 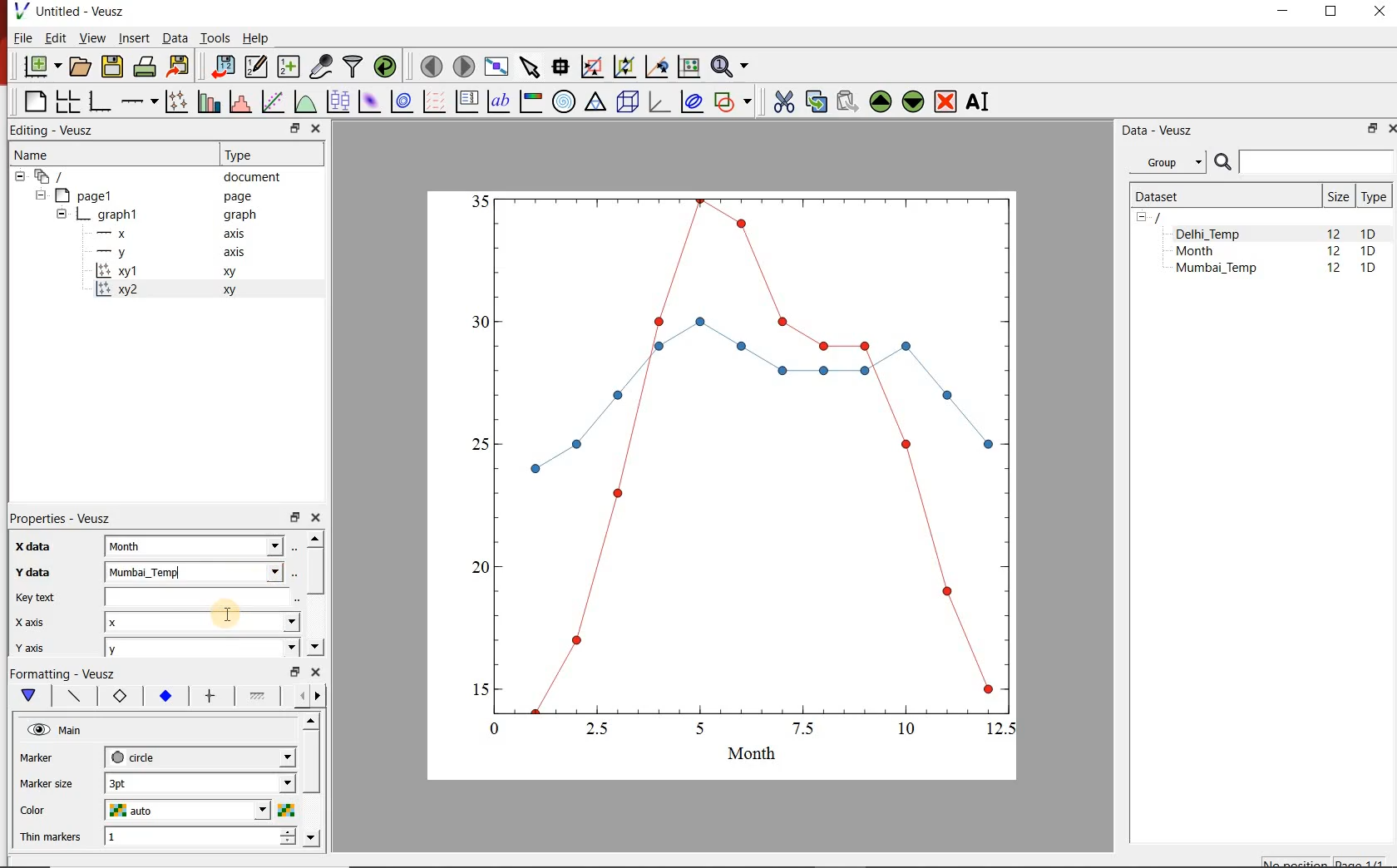 I want to click on Tools, so click(x=216, y=38).